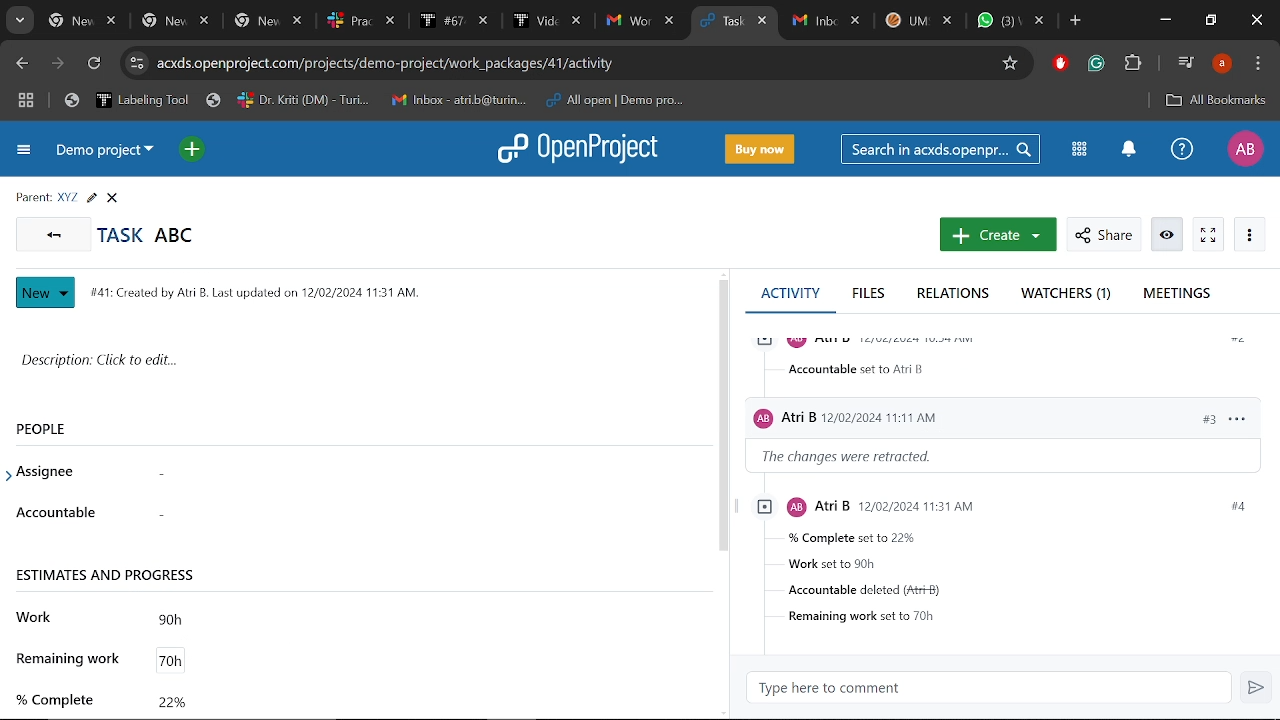 This screenshot has width=1280, height=720. Describe the element at coordinates (1012, 61) in the screenshot. I see `Add/remove bookmark` at that location.